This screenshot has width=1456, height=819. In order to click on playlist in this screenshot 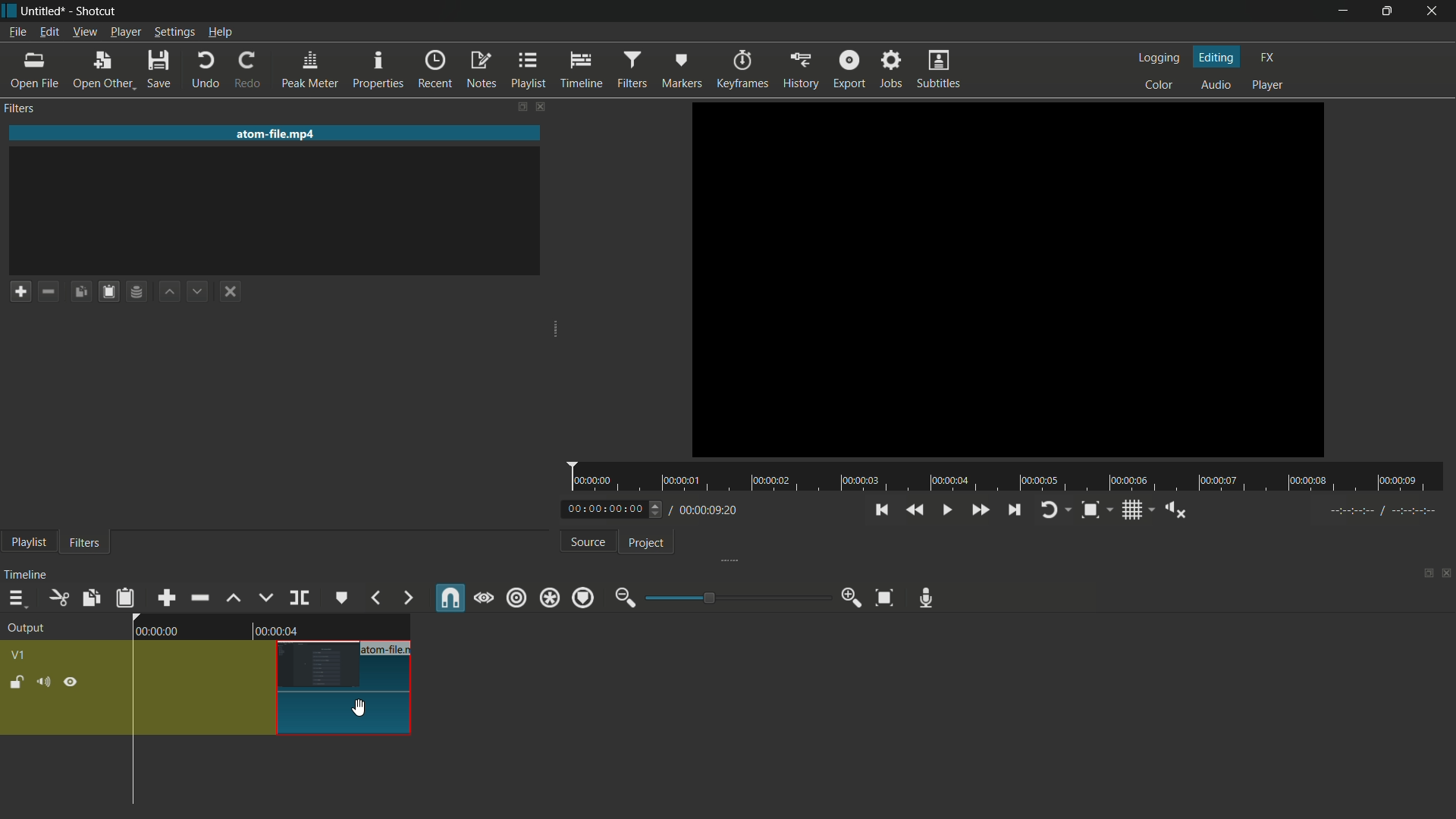, I will do `click(526, 69)`.